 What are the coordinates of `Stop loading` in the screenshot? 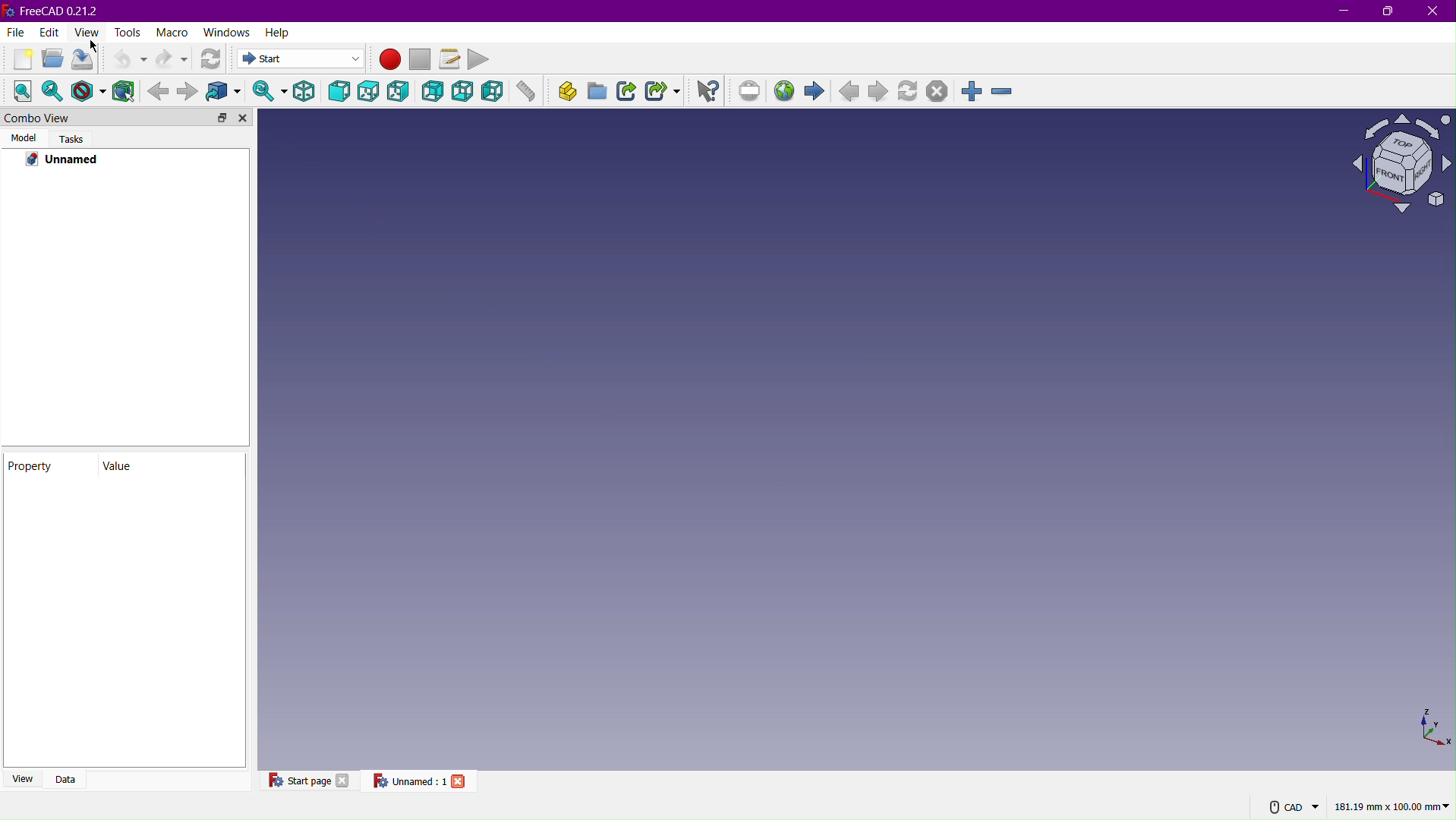 It's located at (940, 92).